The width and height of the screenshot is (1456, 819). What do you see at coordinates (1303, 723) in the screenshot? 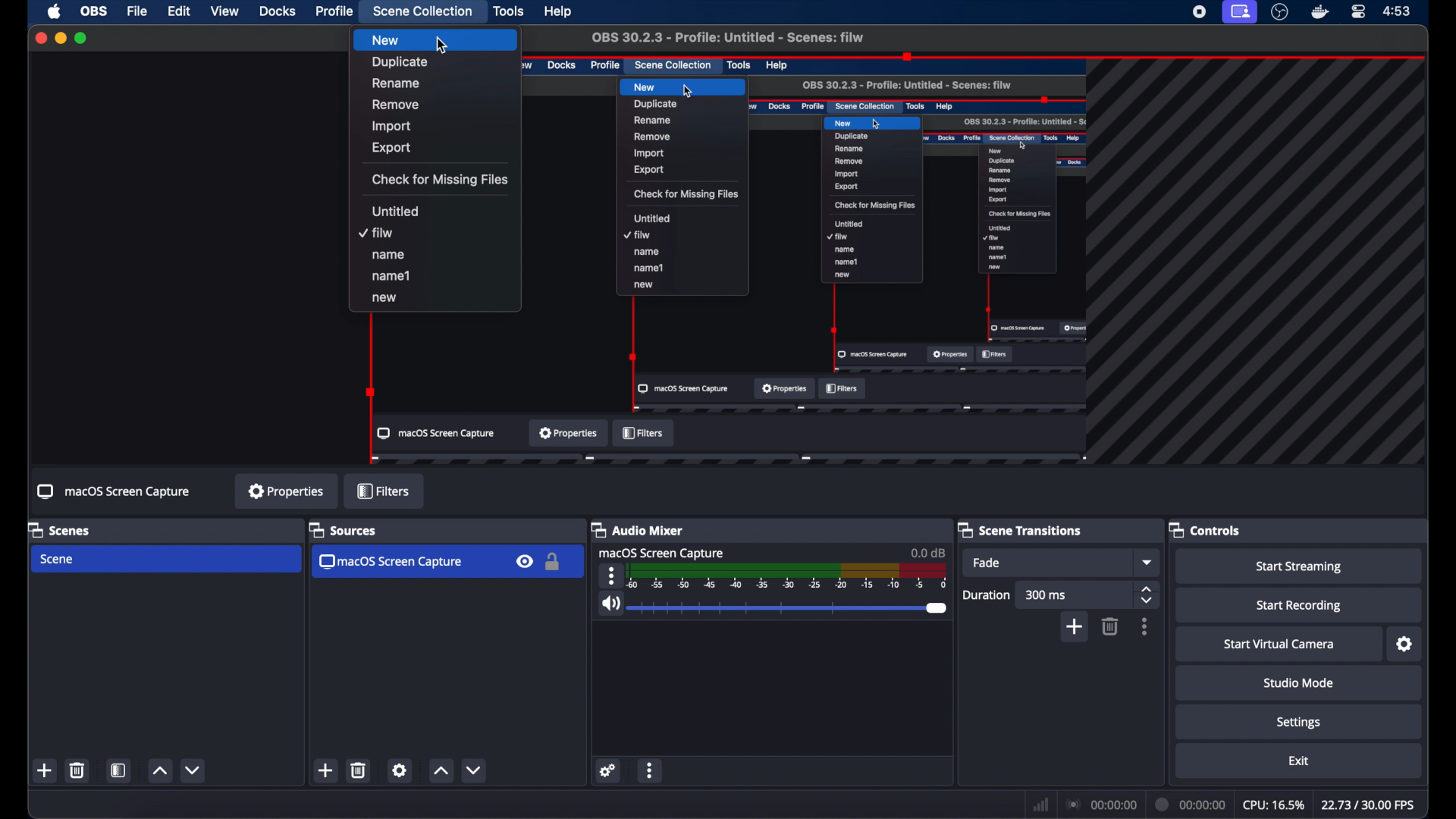
I see `settings` at bounding box center [1303, 723].